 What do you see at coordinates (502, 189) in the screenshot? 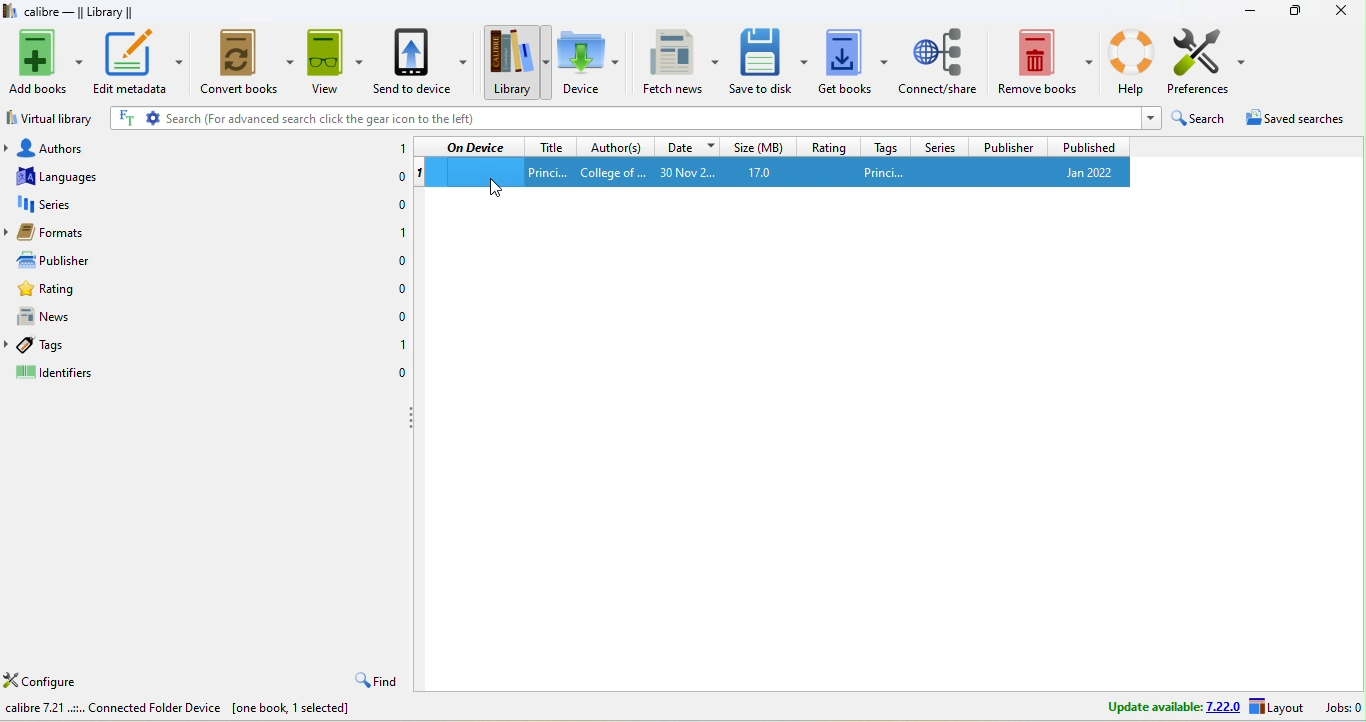
I see `cursor ` at bounding box center [502, 189].